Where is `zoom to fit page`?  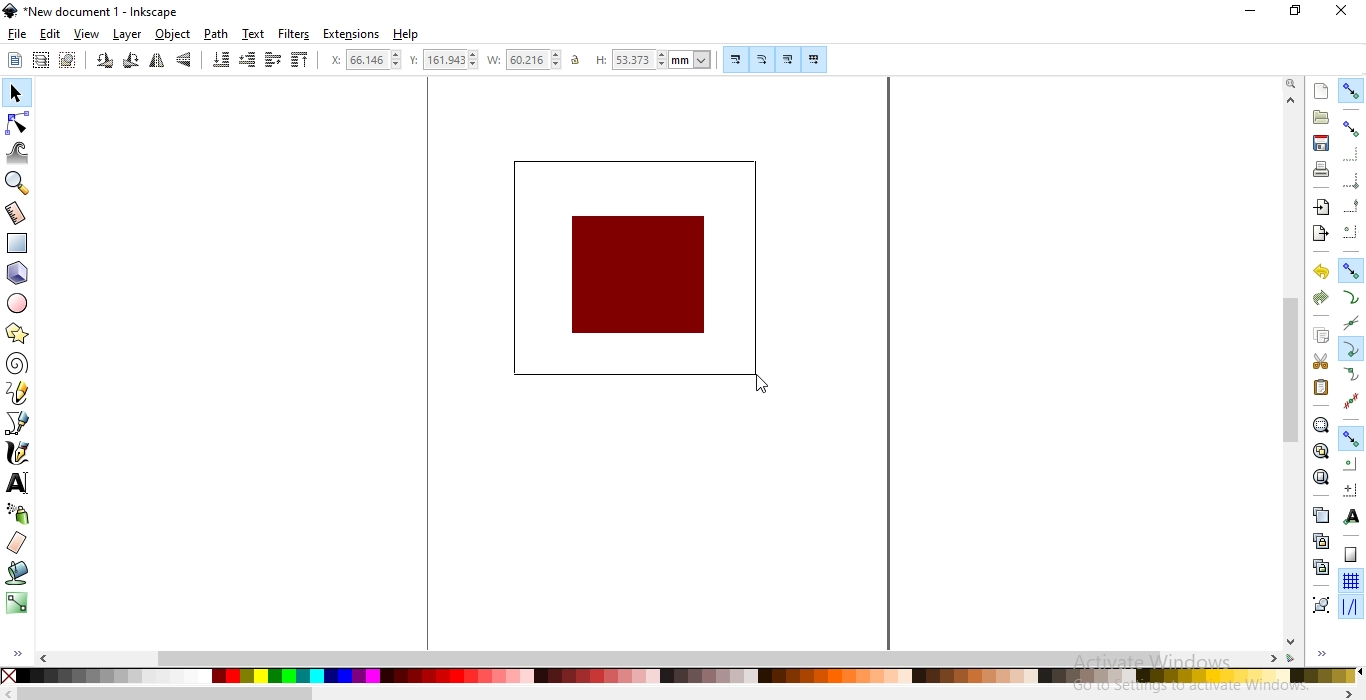
zoom to fit page is located at coordinates (1320, 477).